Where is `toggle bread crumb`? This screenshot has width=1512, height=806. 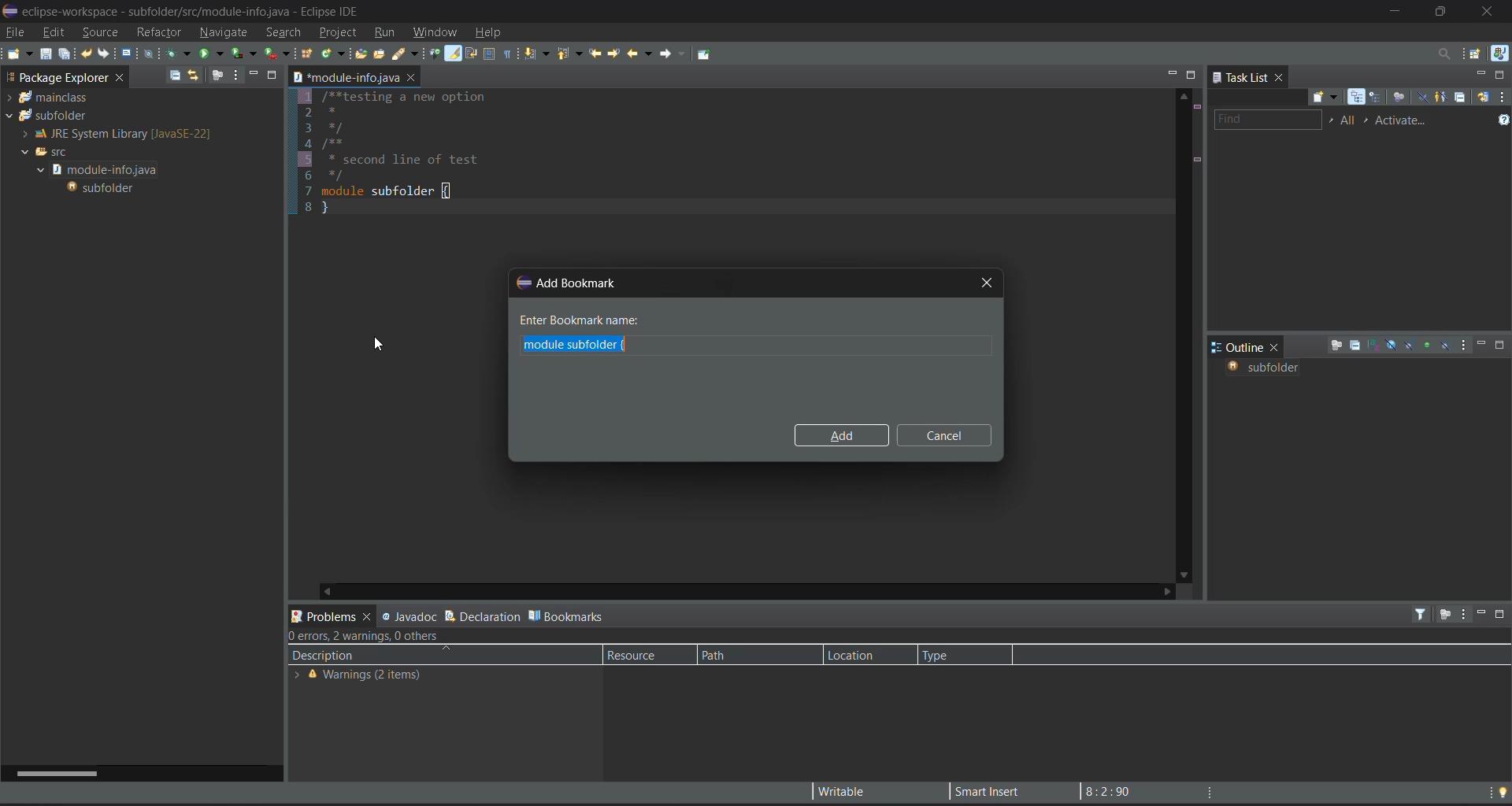
toggle bread crumb is located at coordinates (436, 54).